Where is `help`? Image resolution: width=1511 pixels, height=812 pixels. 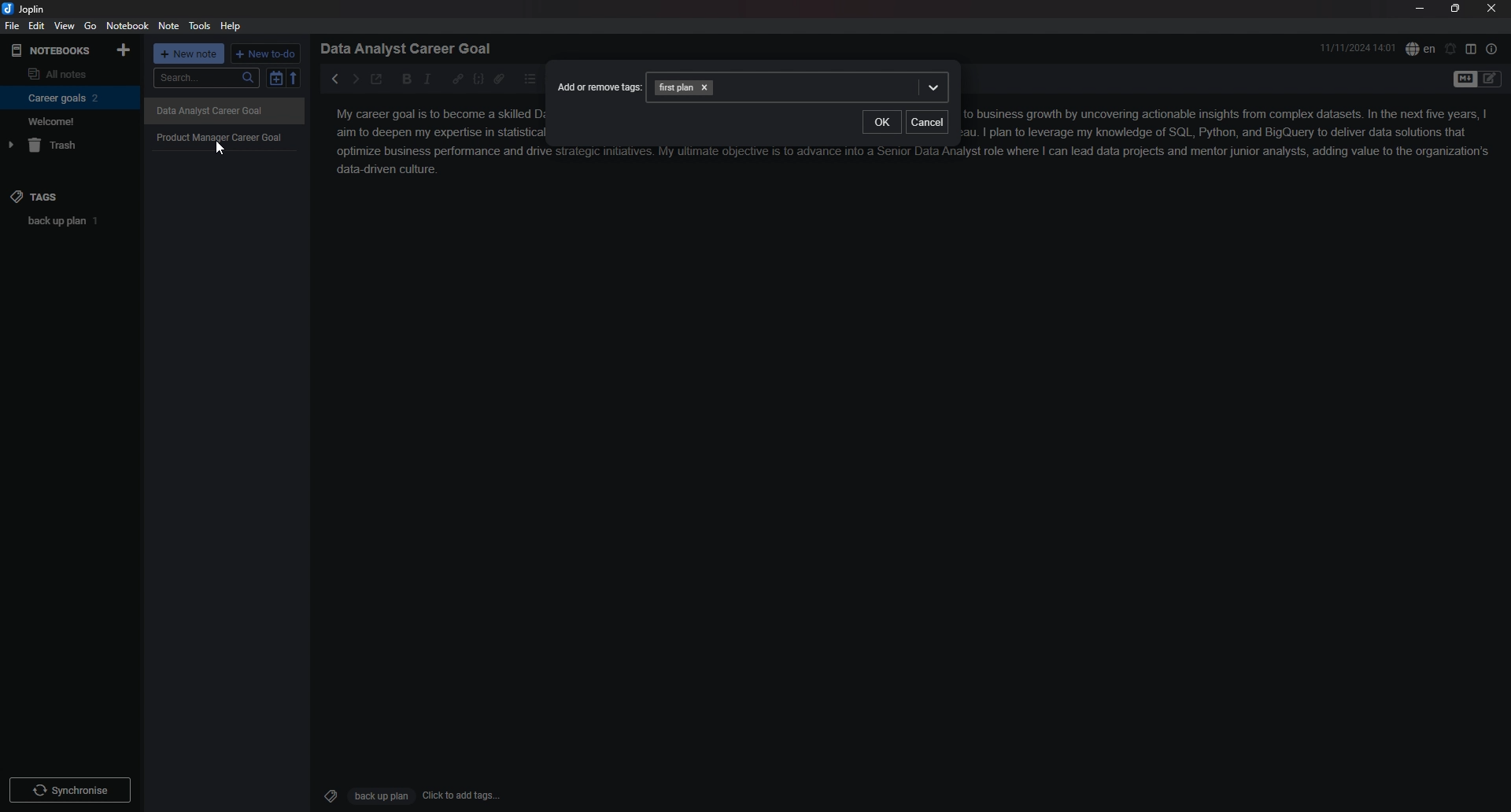 help is located at coordinates (231, 27).